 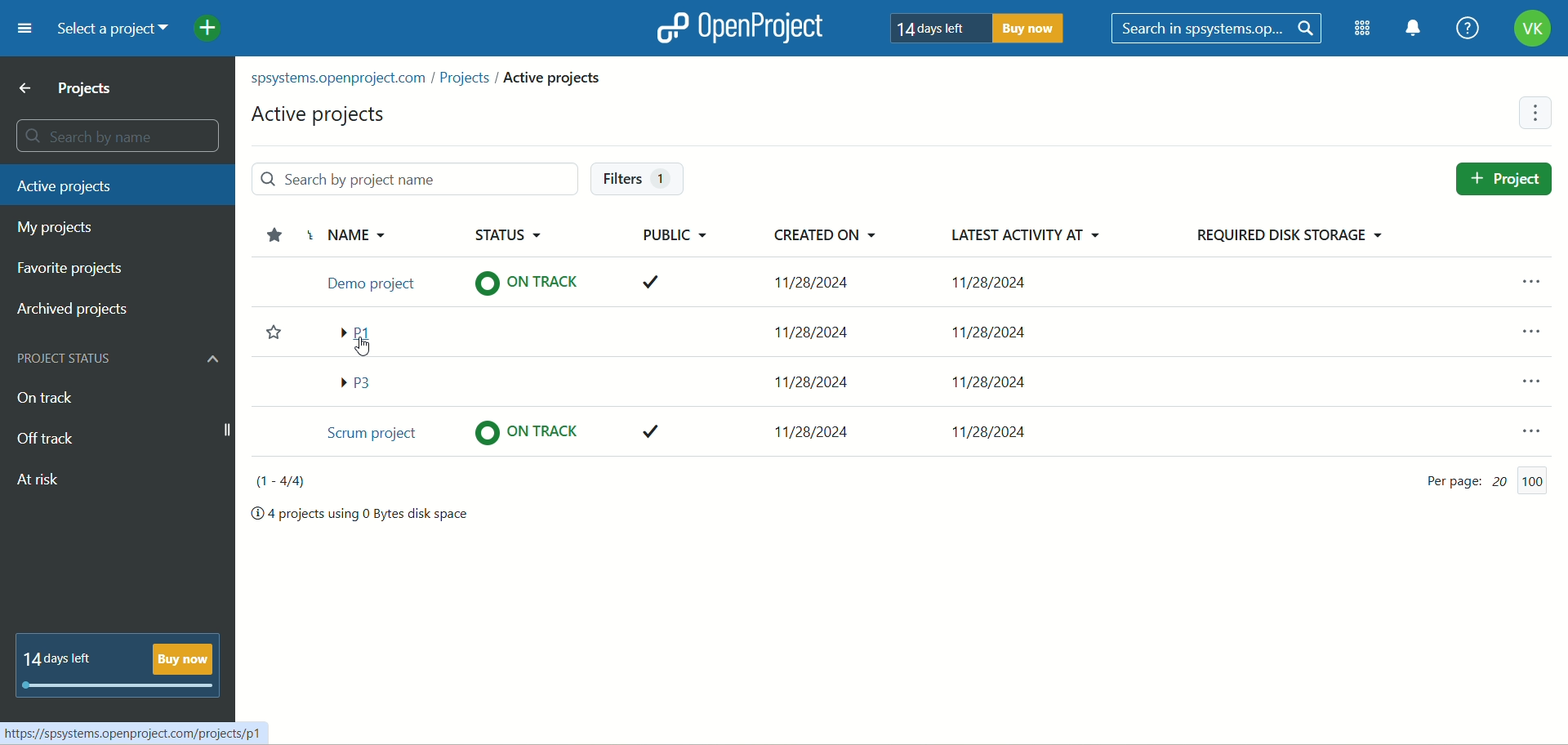 What do you see at coordinates (271, 233) in the screenshot?
I see `favorites` at bounding box center [271, 233].